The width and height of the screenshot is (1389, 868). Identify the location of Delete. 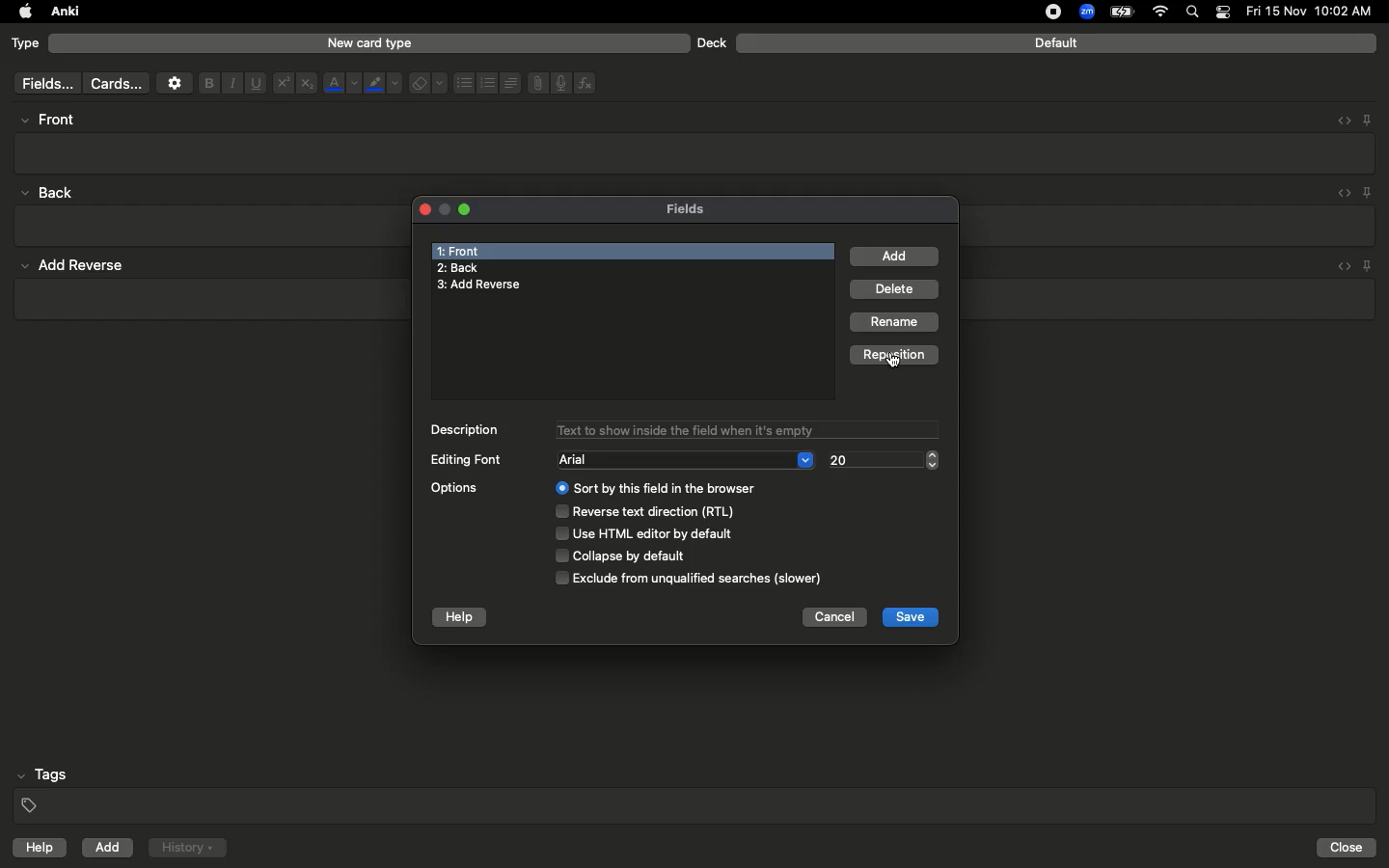
(897, 290).